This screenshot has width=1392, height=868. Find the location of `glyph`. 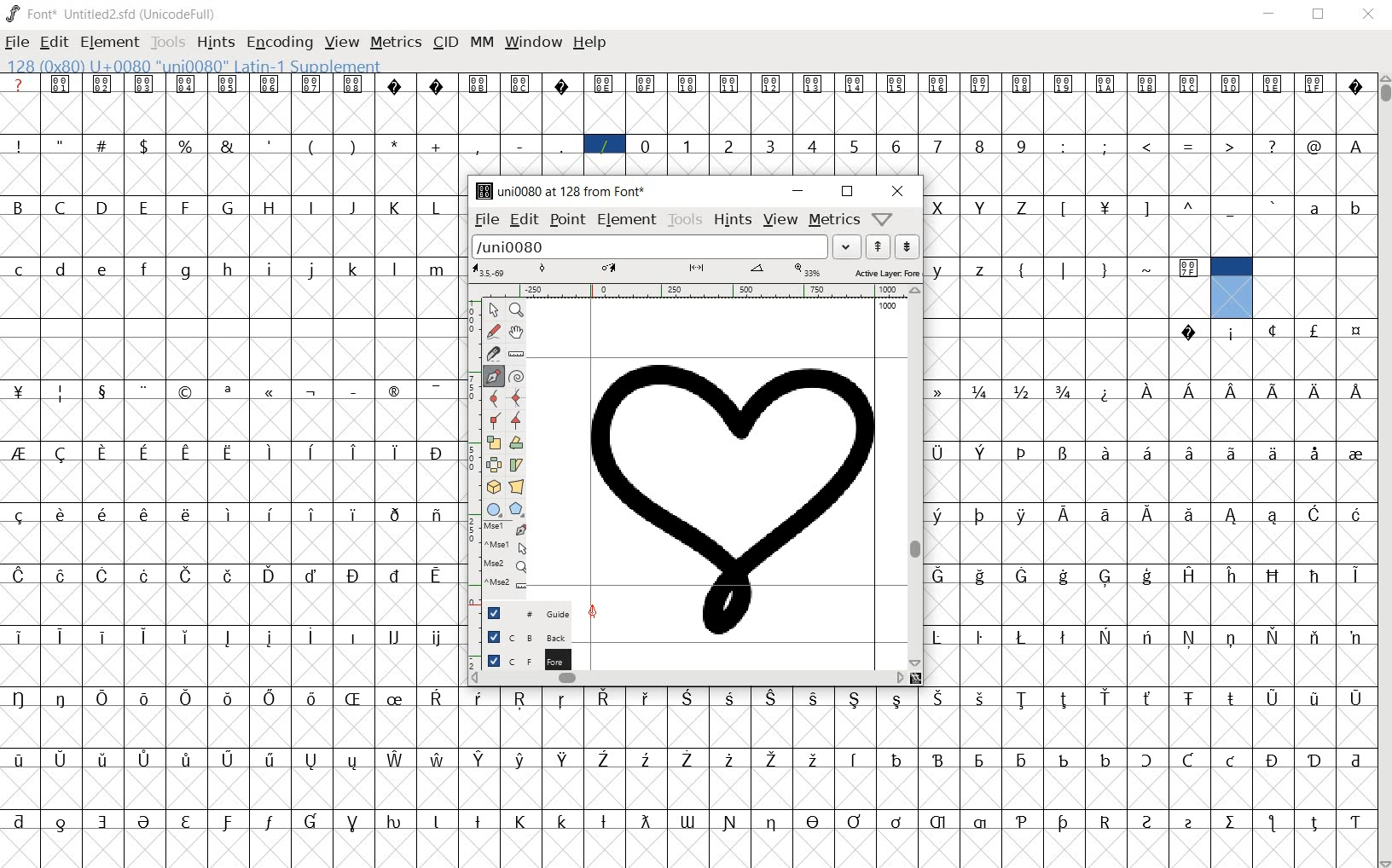

glyph is located at coordinates (435, 391).